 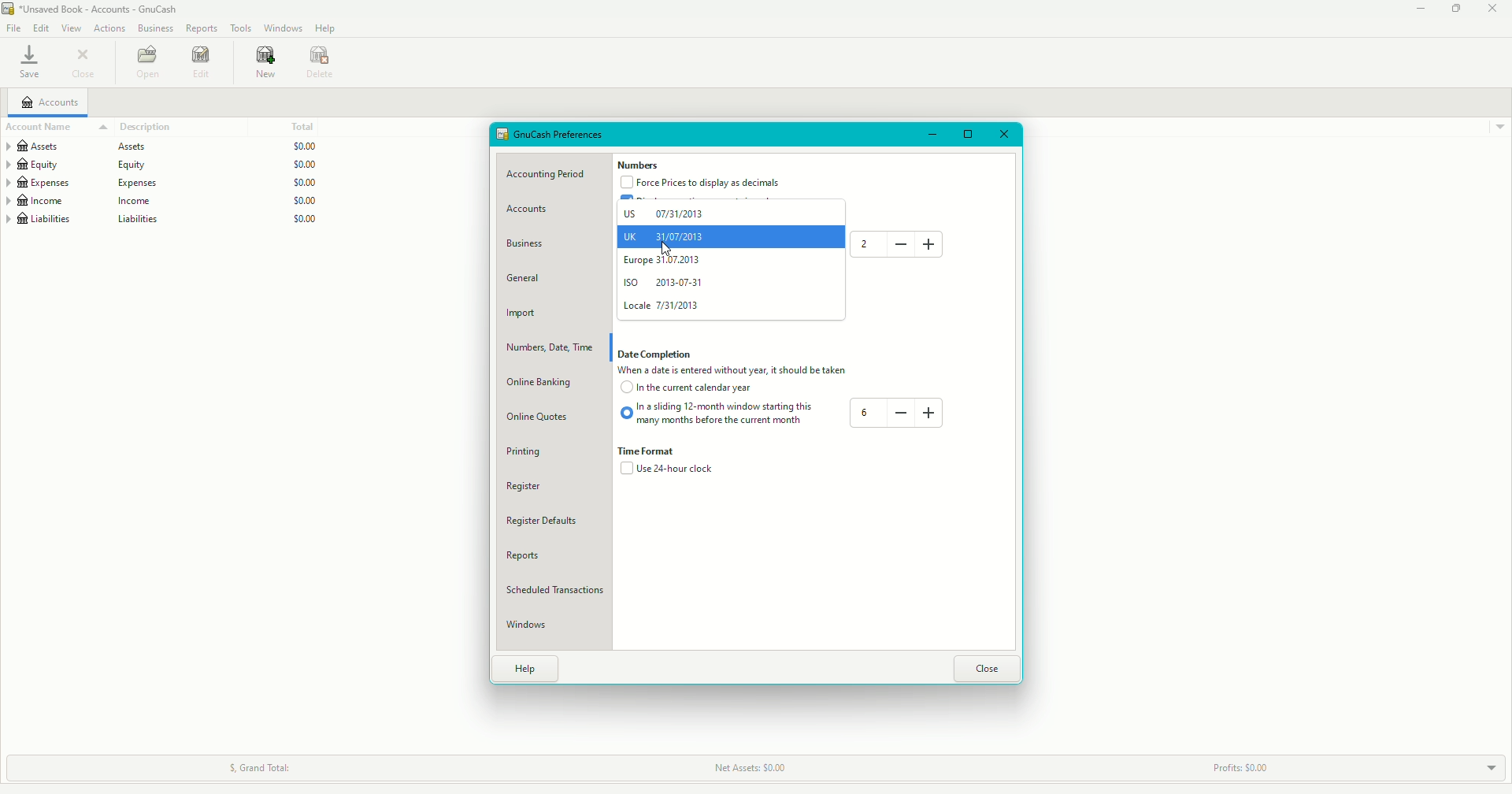 What do you see at coordinates (669, 249) in the screenshot?
I see `cursor` at bounding box center [669, 249].